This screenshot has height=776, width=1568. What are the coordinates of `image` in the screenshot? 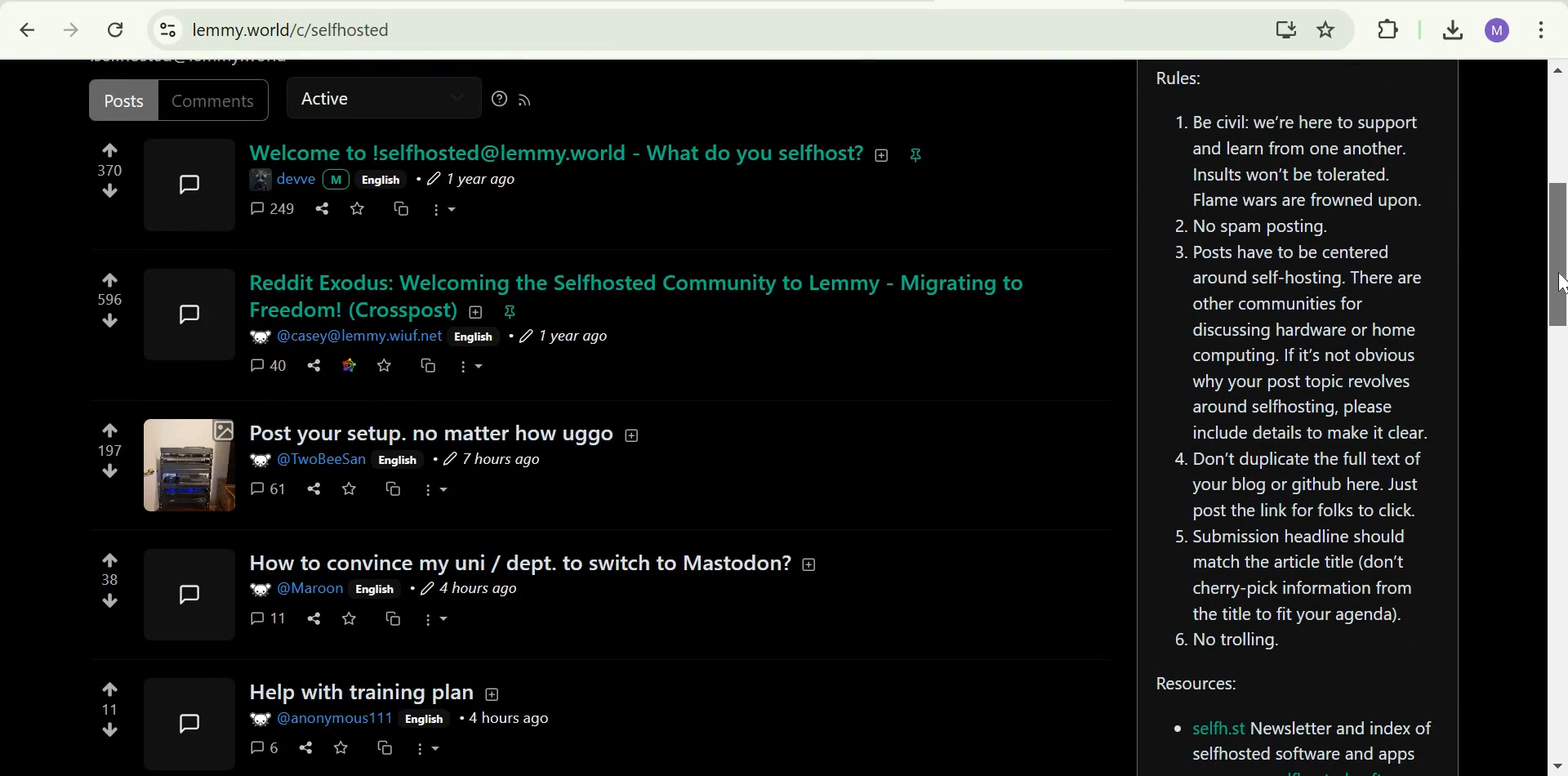 It's located at (257, 720).